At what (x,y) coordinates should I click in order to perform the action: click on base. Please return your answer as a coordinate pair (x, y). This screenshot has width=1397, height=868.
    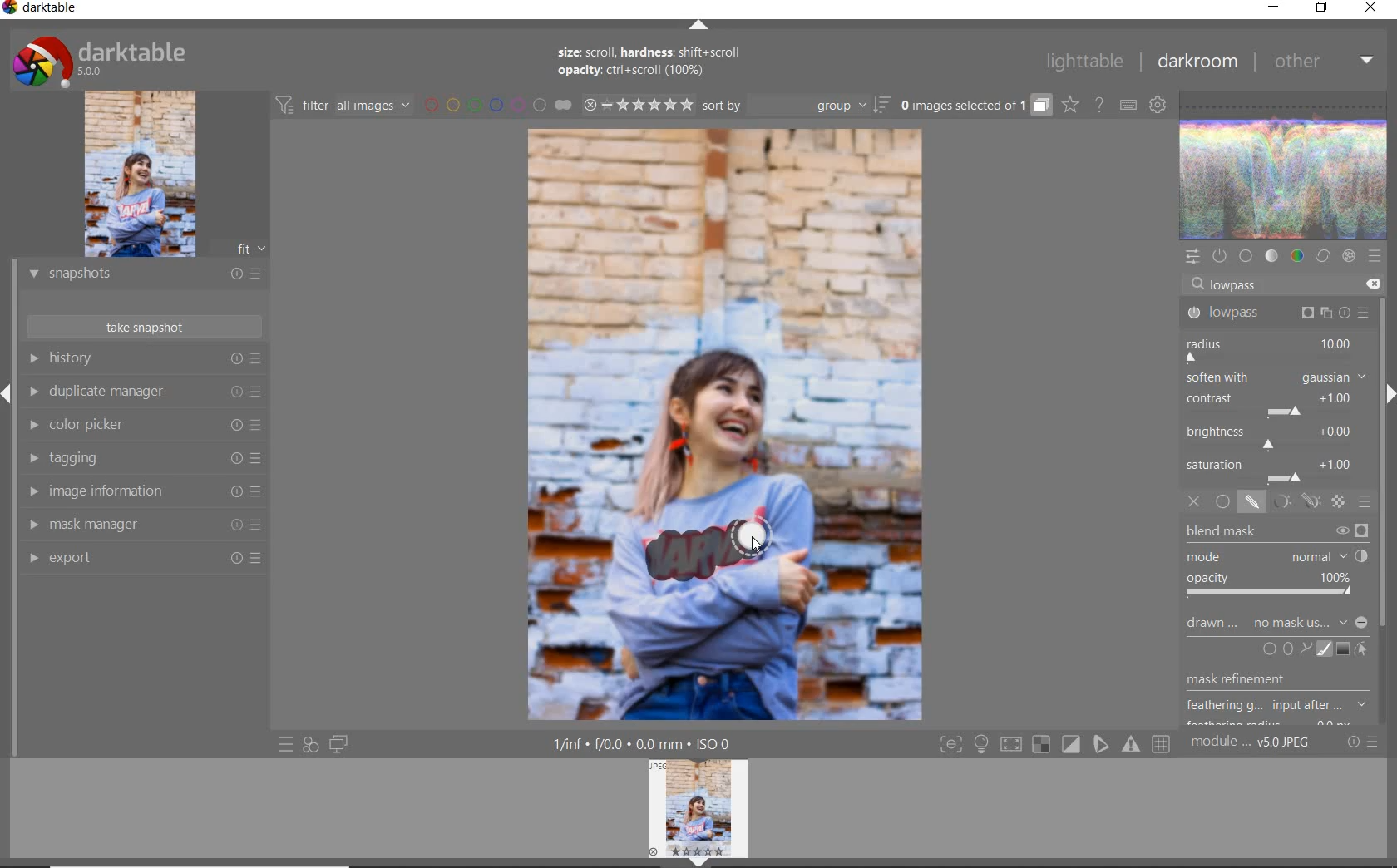
    Looking at the image, I should click on (1246, 256).